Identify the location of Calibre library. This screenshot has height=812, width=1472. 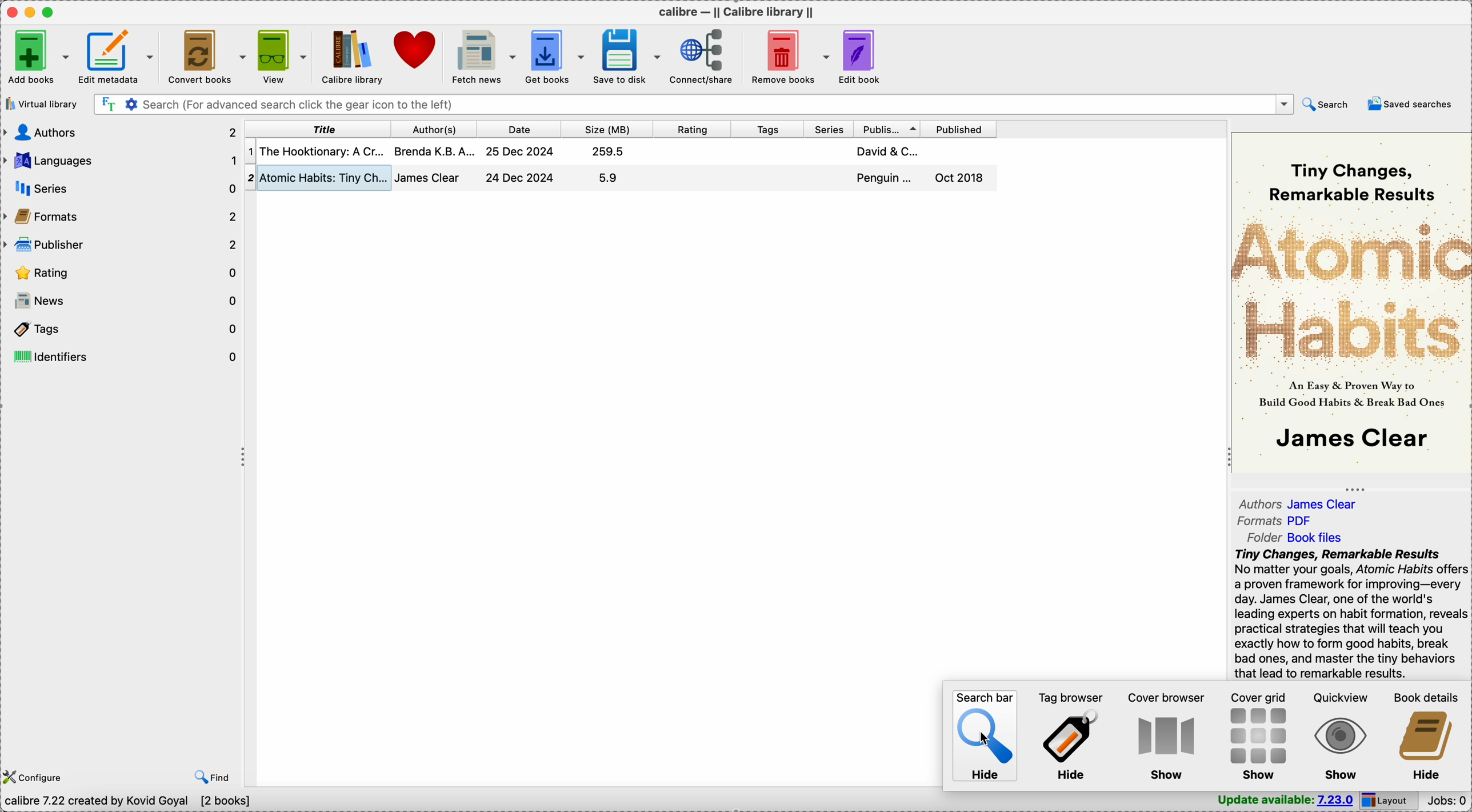
(354, 57).